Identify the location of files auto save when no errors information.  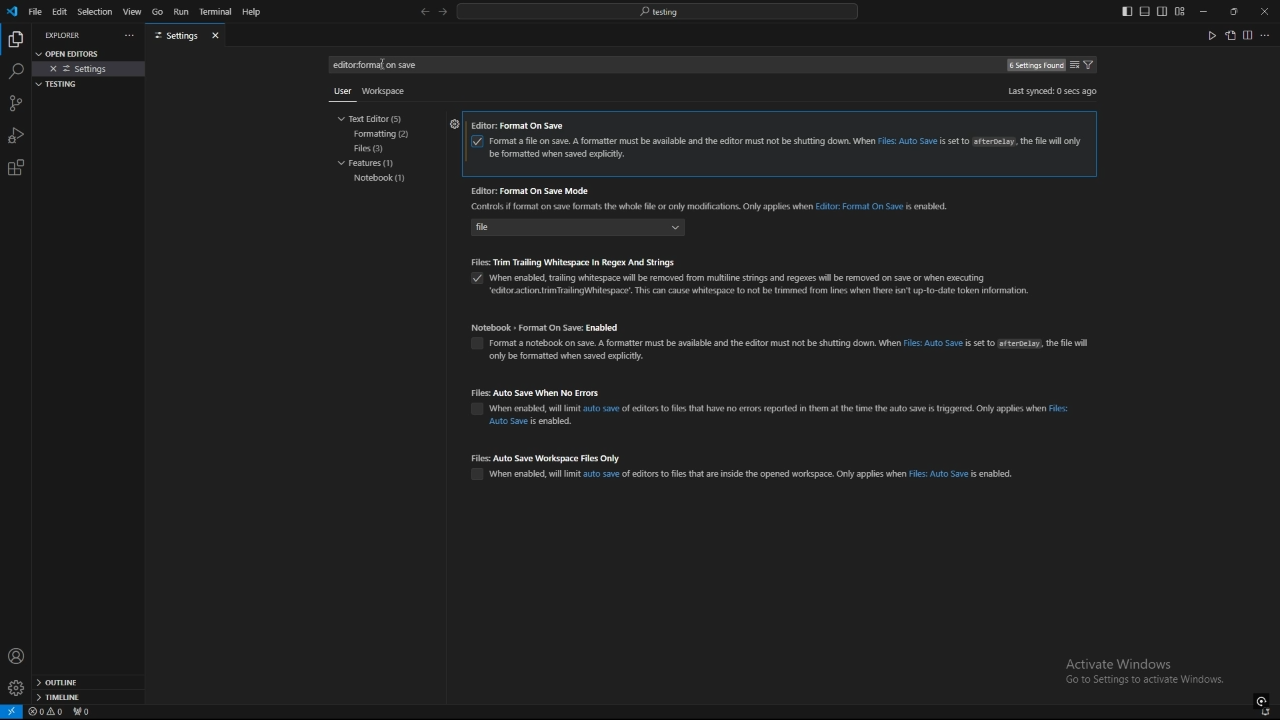
(788, 414).